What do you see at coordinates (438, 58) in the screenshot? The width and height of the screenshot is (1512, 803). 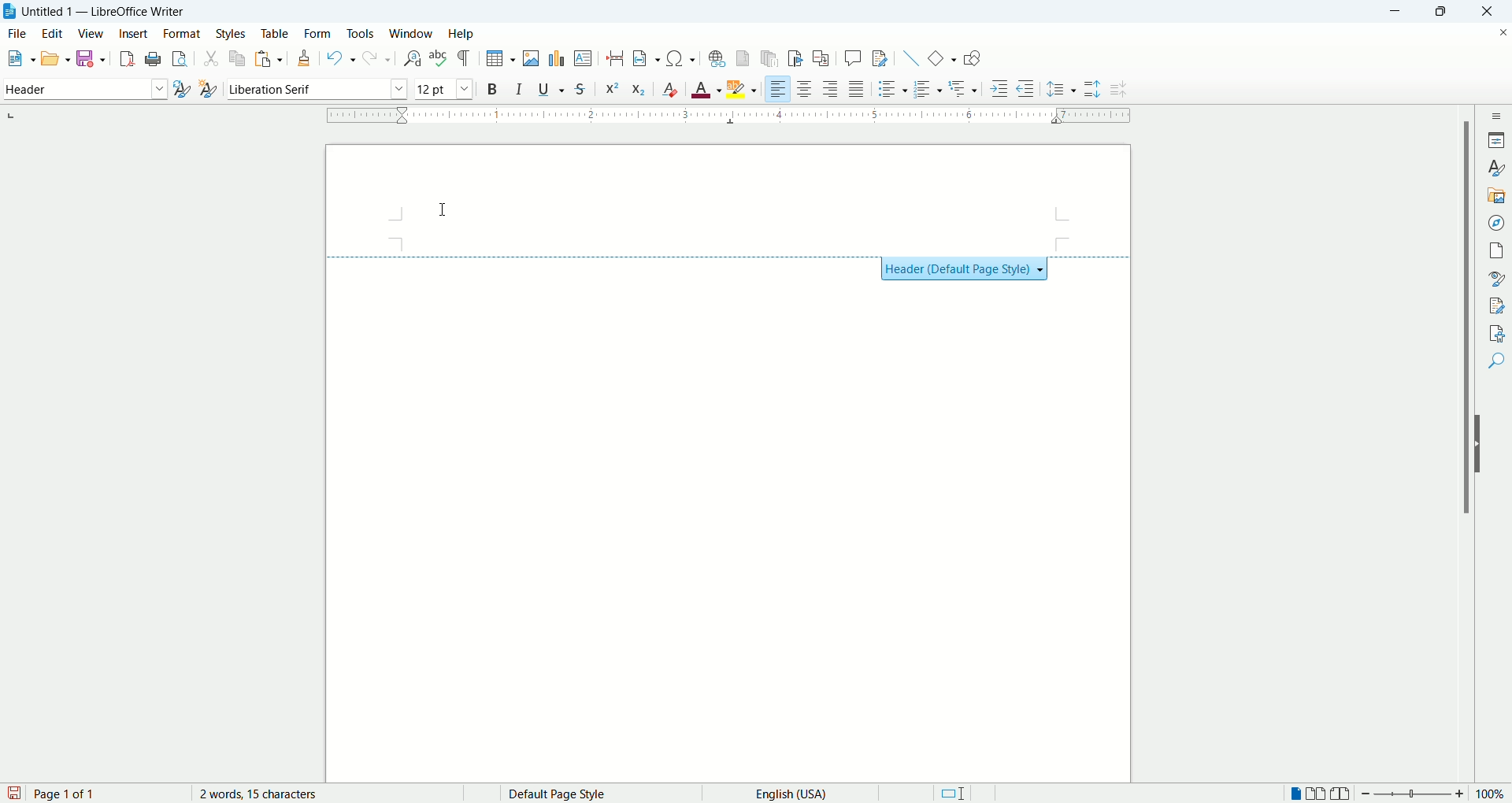 I see `spell check` at bounding box center [438, 58].